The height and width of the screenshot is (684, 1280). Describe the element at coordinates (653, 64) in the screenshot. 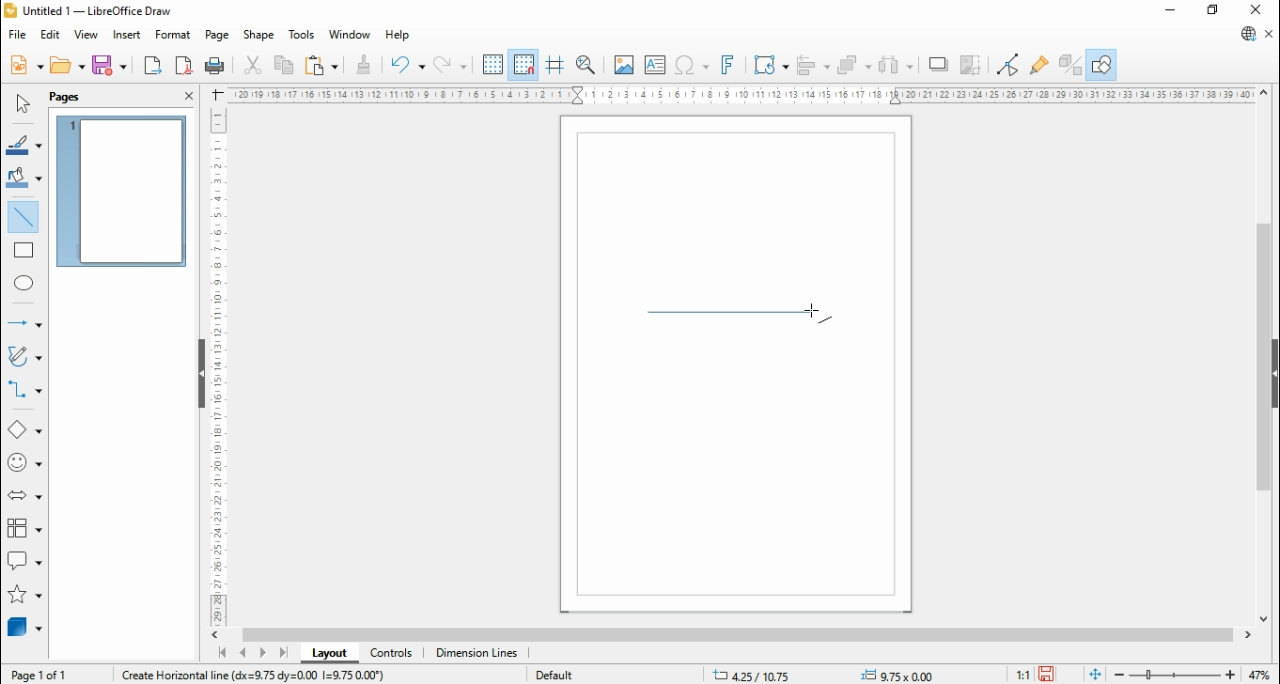

I see `insert text box` at that location.